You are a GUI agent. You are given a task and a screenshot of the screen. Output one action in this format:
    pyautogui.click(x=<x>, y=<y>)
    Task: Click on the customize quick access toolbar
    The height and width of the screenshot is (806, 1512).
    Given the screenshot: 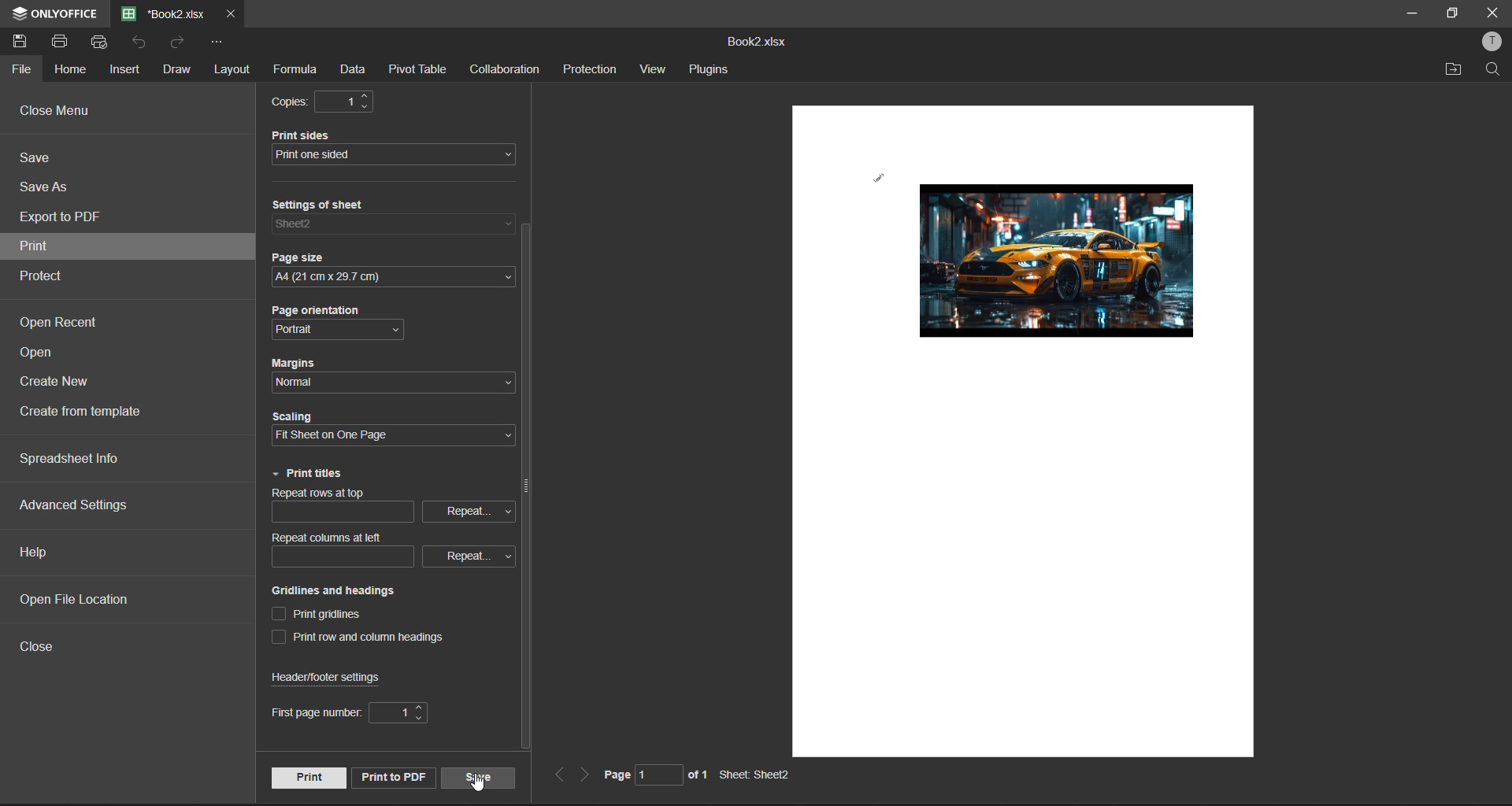 What is the action you would take?
    pyautogui.click(x=218, y=43)
    